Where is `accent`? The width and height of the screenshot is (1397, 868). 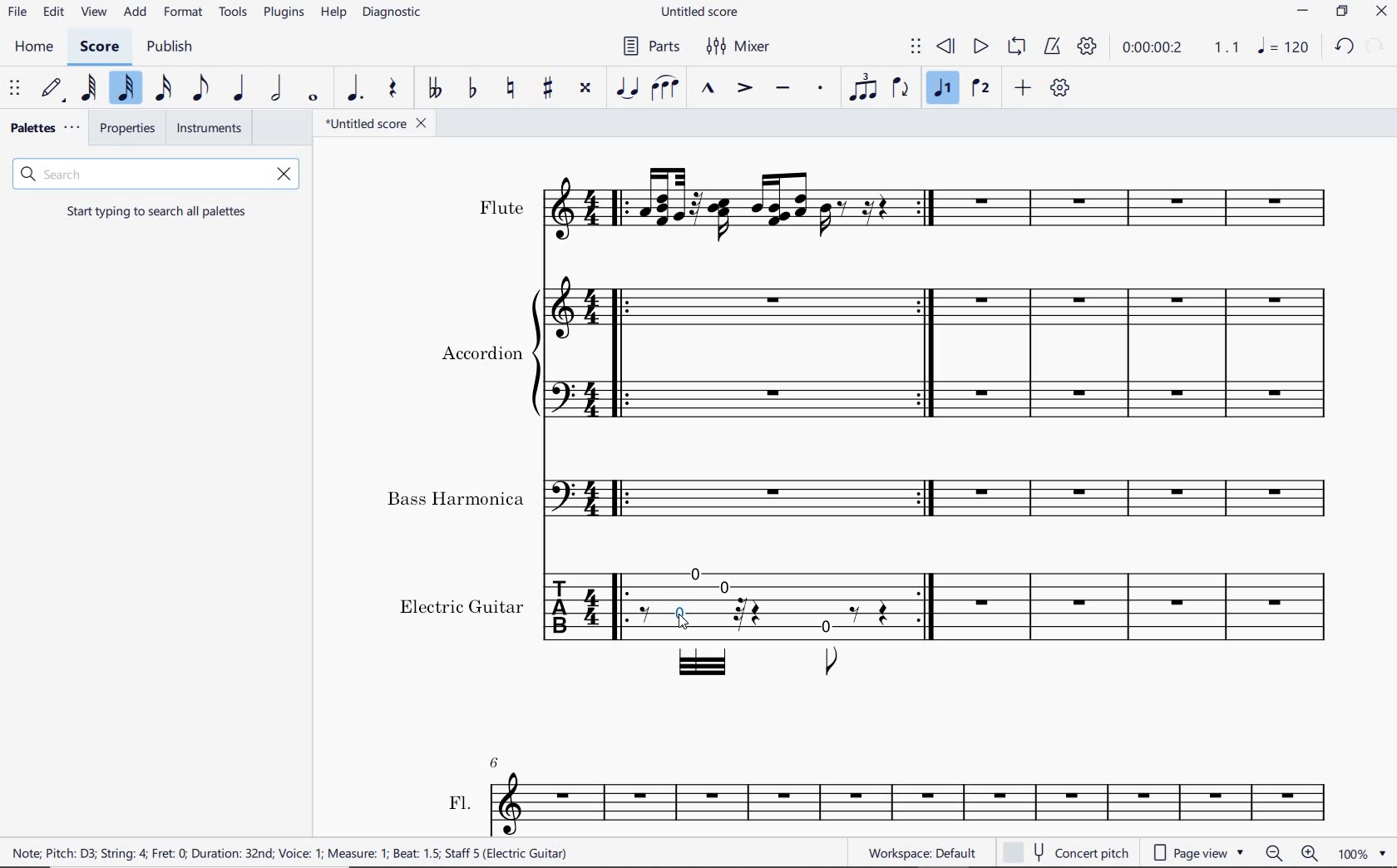 accent is located at coordinates (742, 87).